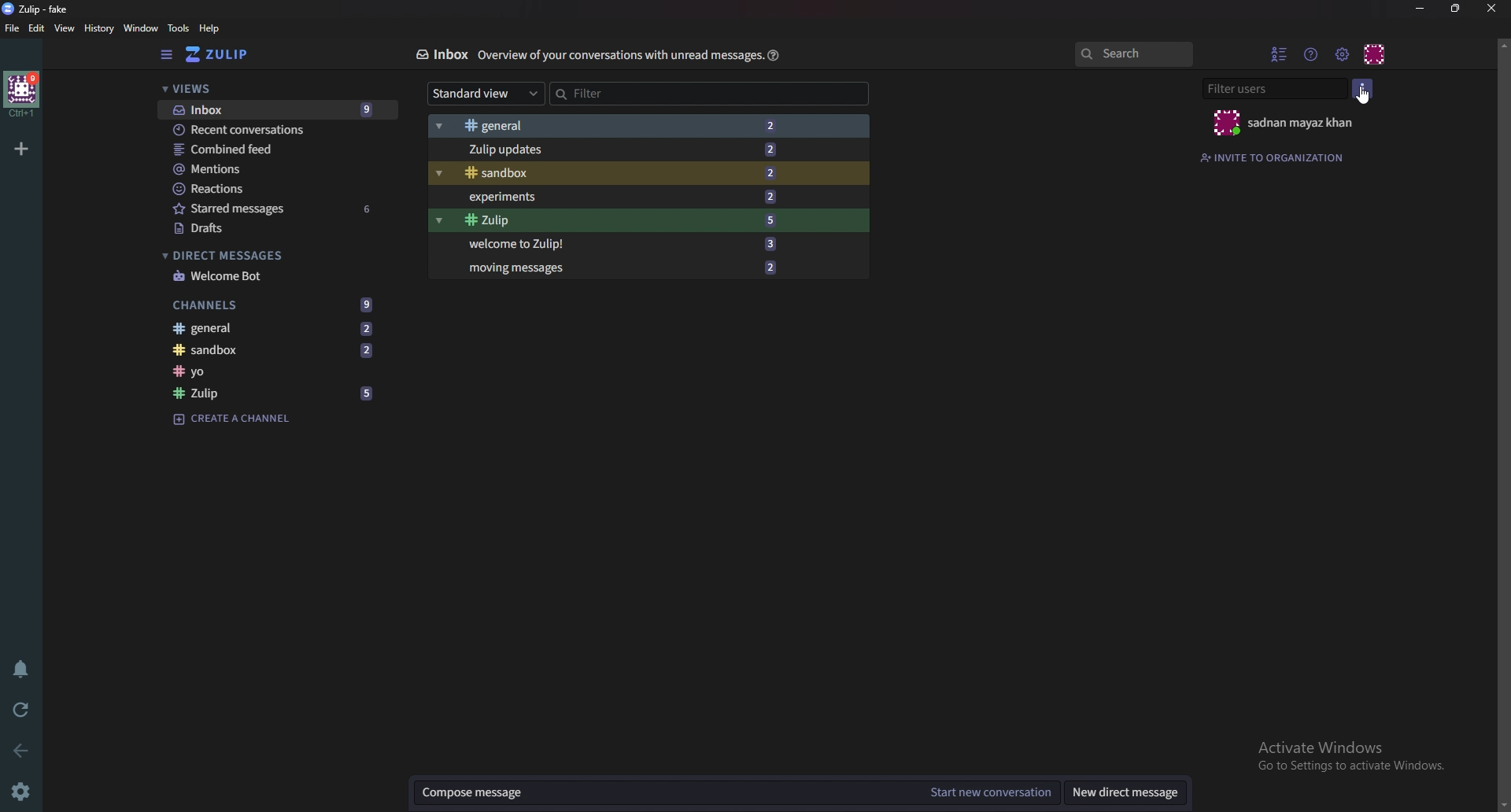 The height and width of the screenshot is (812, 1511). Describe the element at coordinates (439, 57) in the screenshot. I see `Inbox` at that location.